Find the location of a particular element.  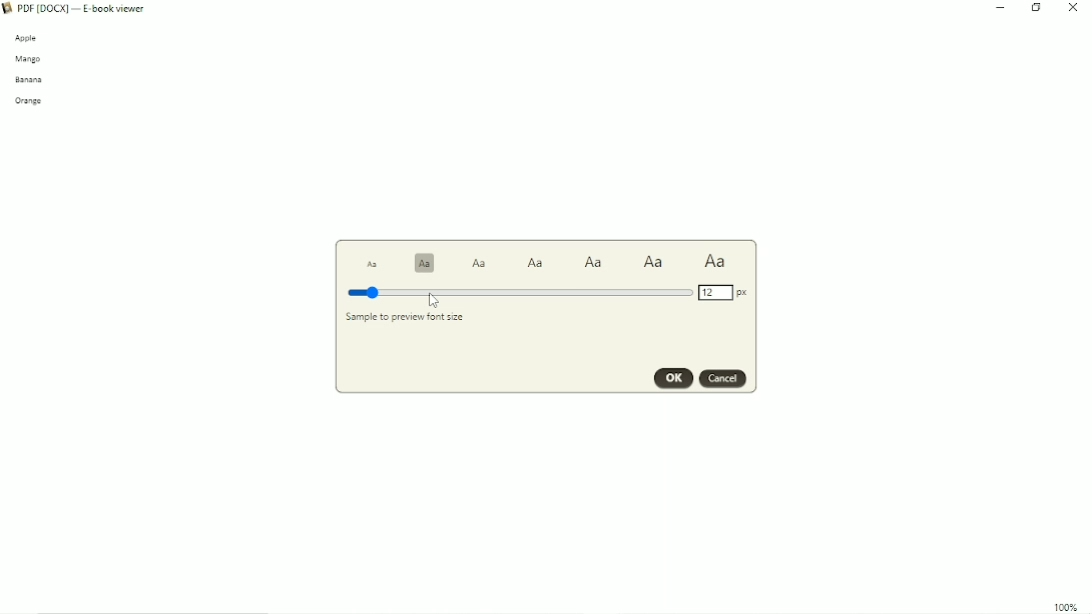

mango is located at coordinates (29, 60).